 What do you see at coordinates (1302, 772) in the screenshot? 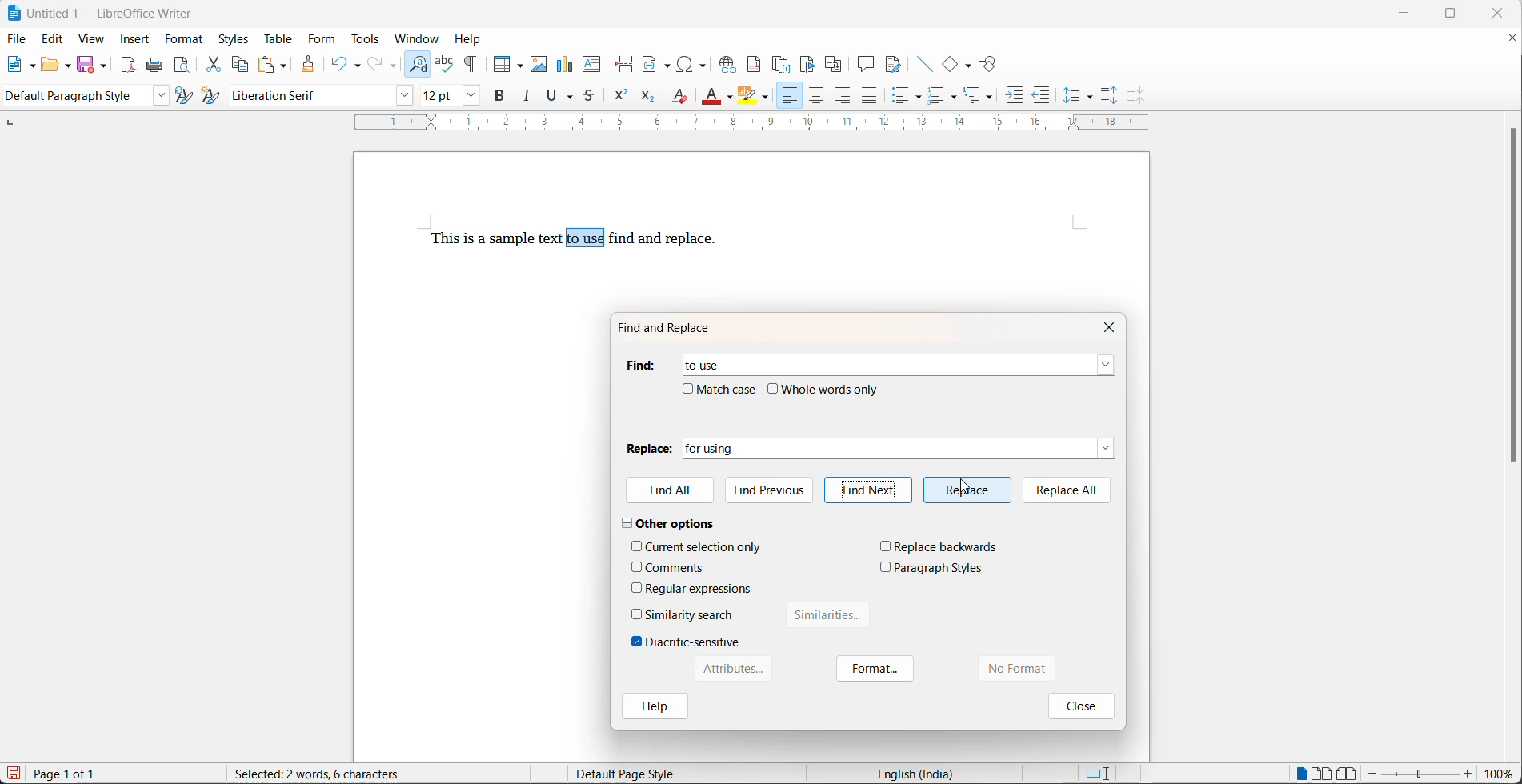
I see `single page view` at bounding box center [1302, 772].